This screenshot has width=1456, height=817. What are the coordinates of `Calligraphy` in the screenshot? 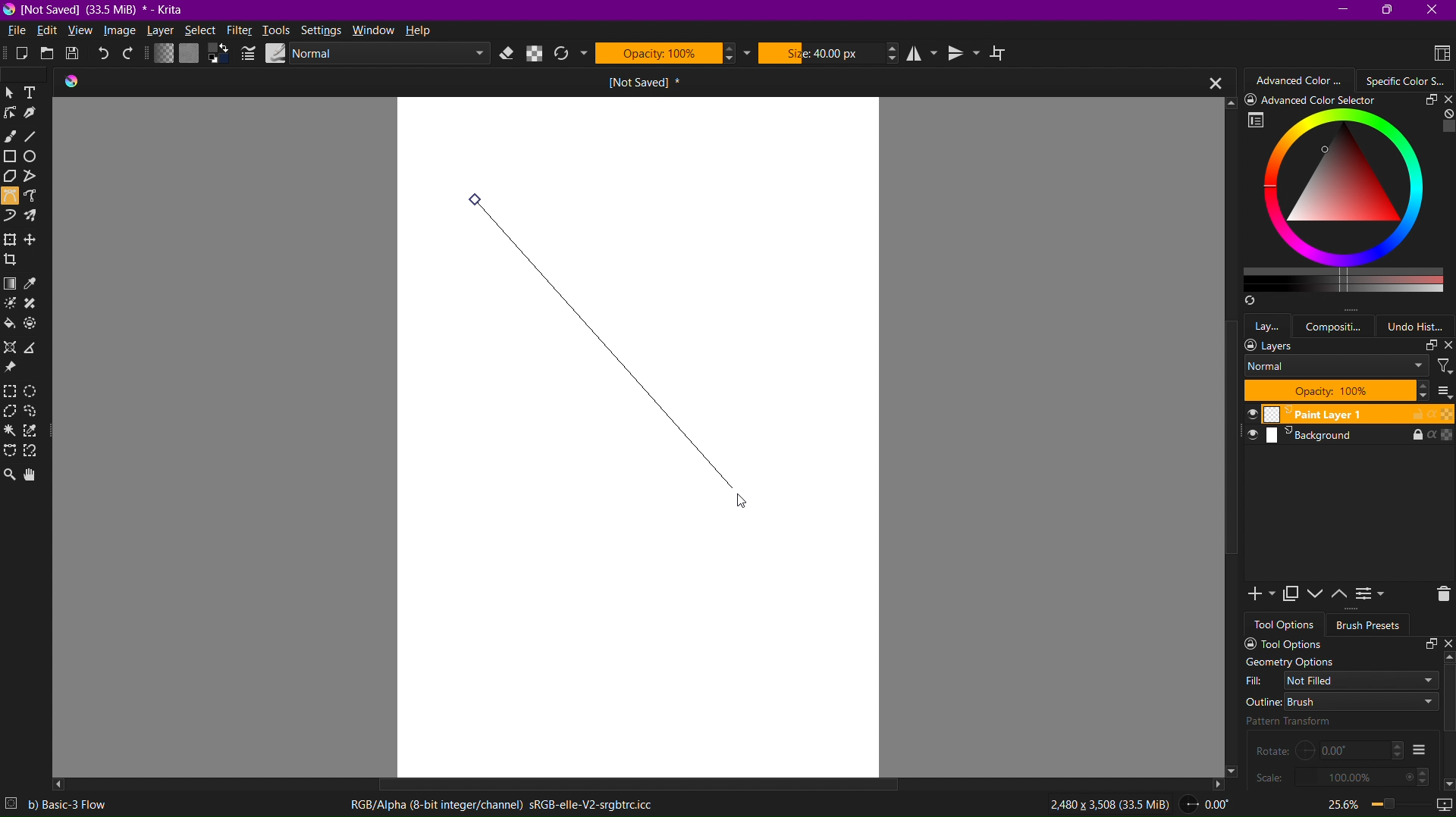 It's located at (39, 116).